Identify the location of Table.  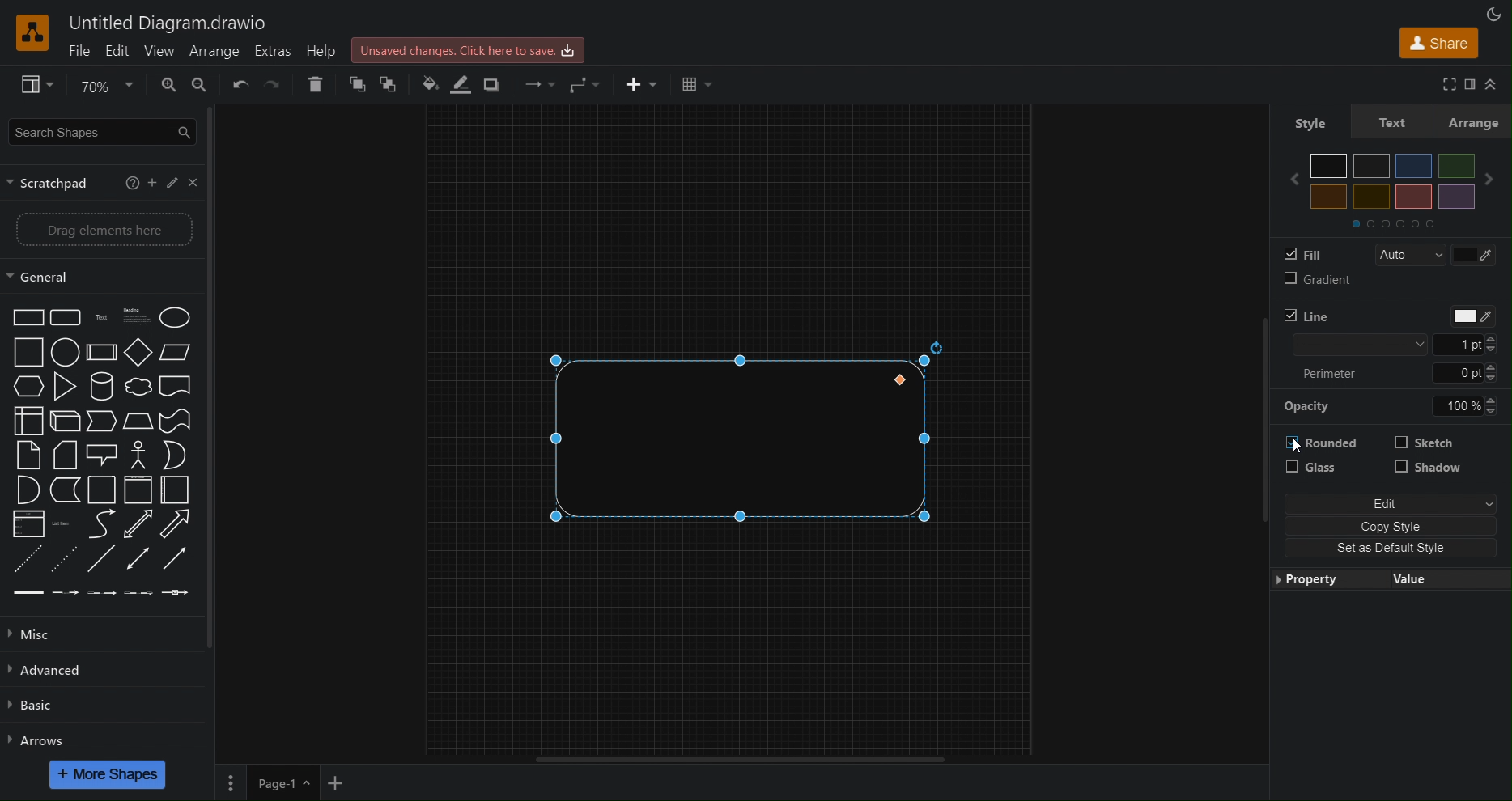
(696, 83).